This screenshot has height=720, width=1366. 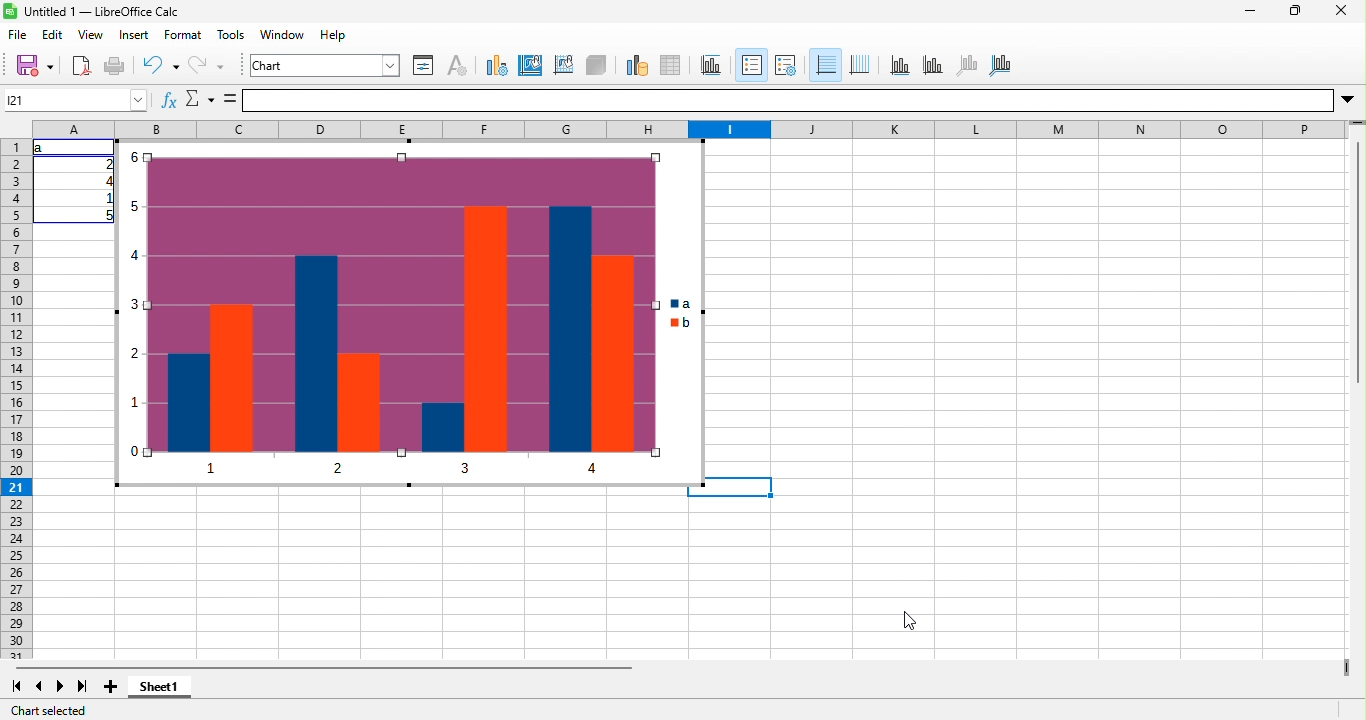 What do you see at coordinates (17, 399) in the screenshot?
I see `rows` at bounding box center [17, 399].